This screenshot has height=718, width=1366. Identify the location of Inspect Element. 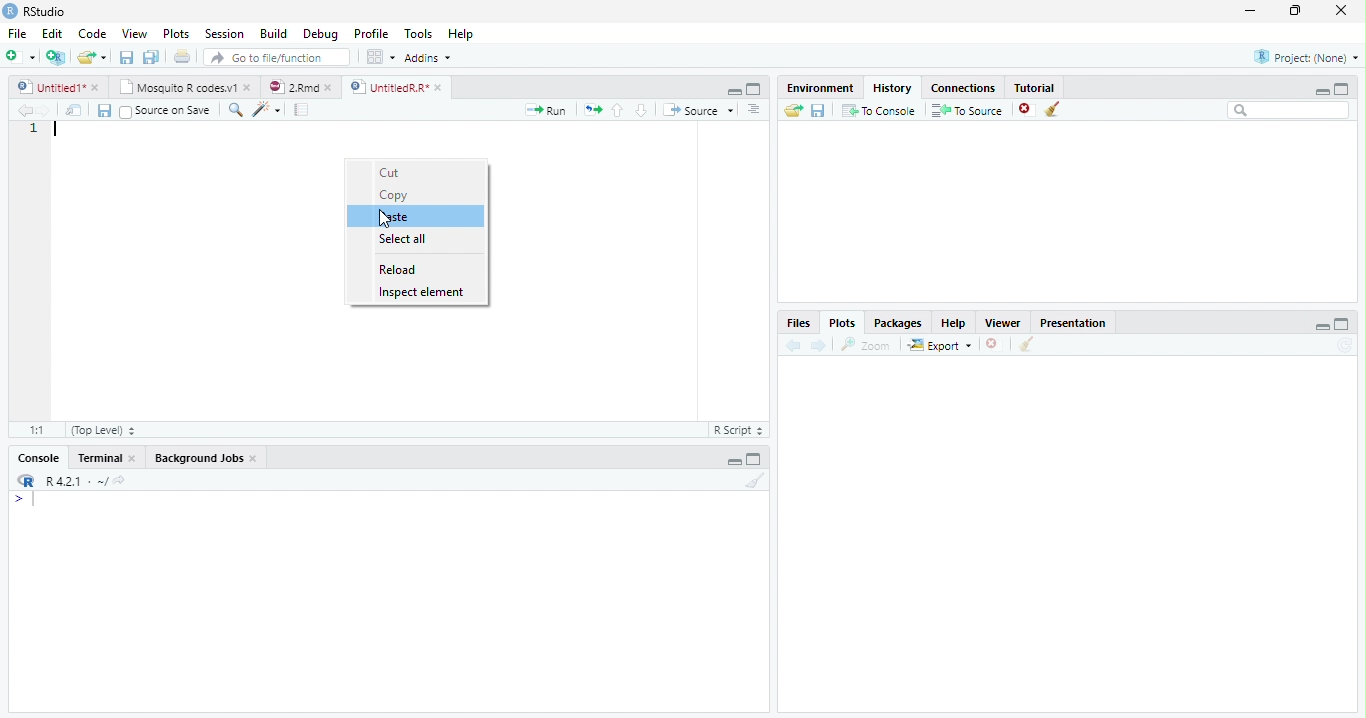
(423, 293).